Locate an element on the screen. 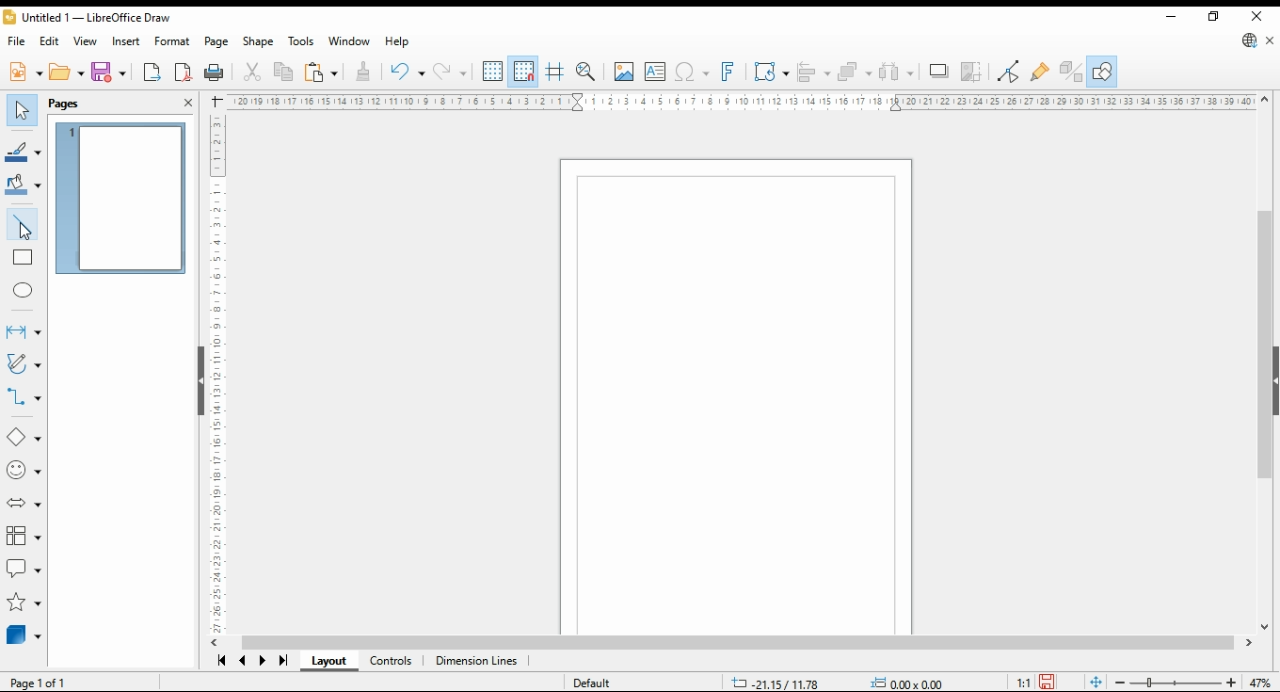 The width and height of the screenshot is (1280, 692). flowchart is located at coordinates (21, 536).